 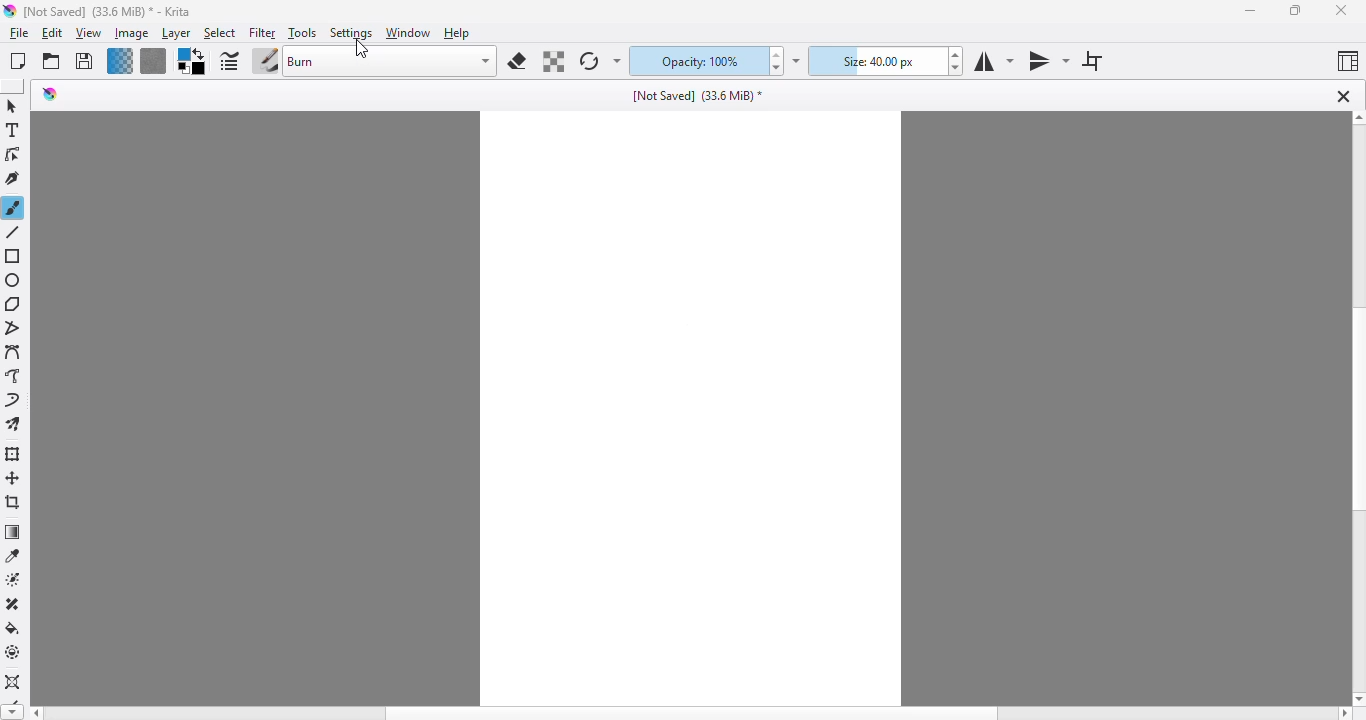 What do you see at coordinates (1340, 10) in the screenshot?
I see ` close` at bounding box center [1340, 10].